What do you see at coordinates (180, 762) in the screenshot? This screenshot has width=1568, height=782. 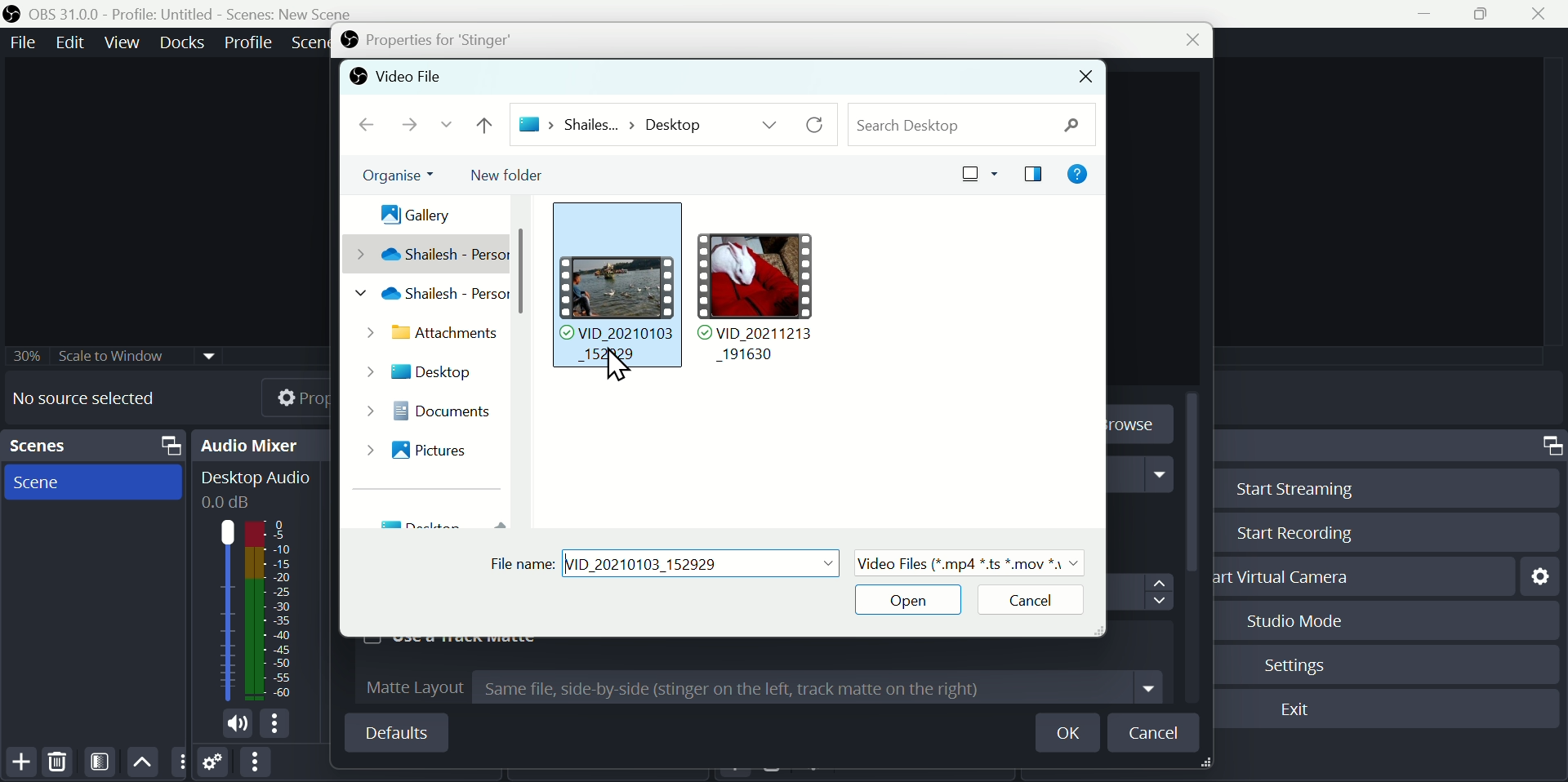 I see `more option` at bounding box center [180, 762].